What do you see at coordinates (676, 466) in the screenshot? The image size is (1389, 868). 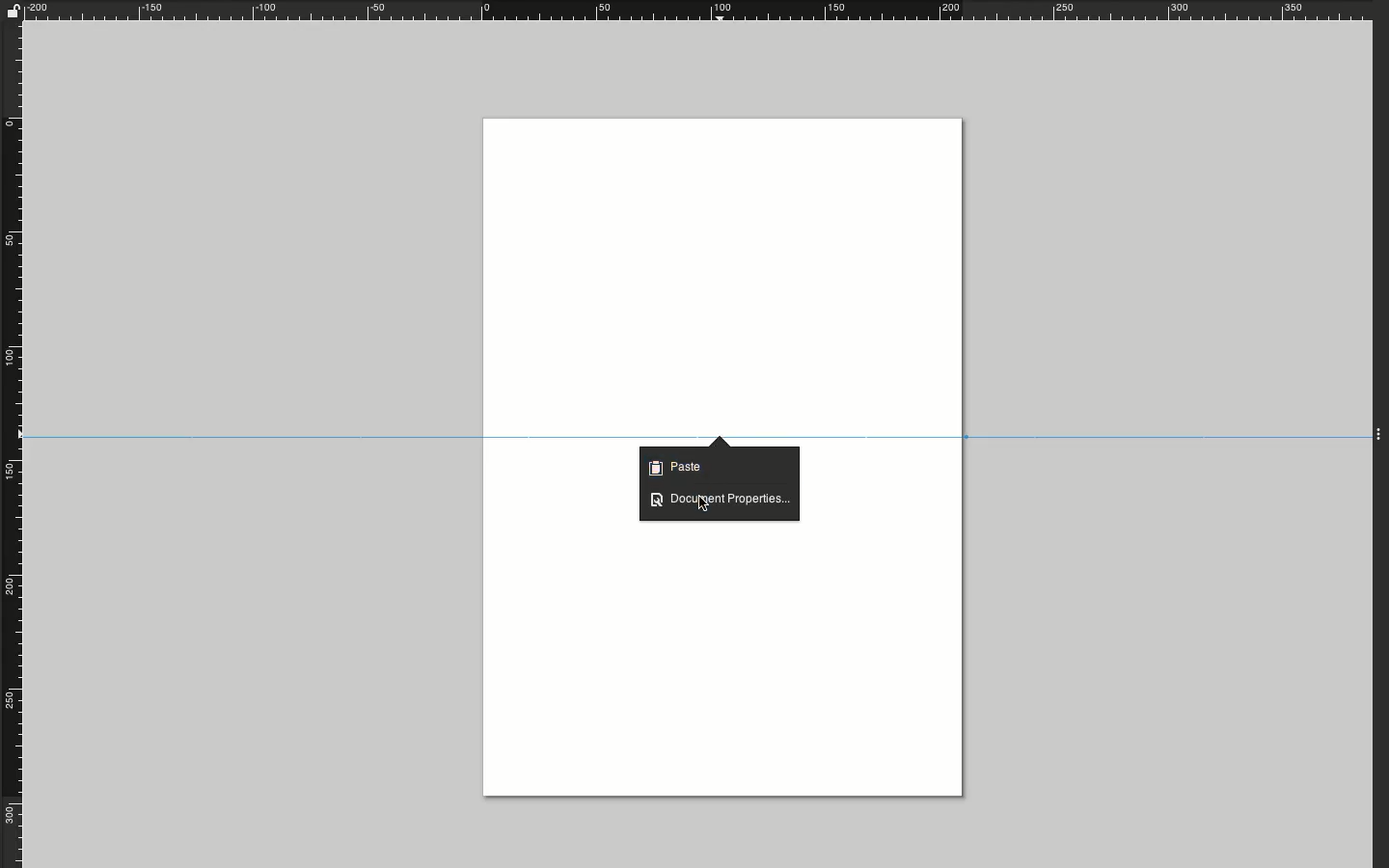 I see `Paste` at bounding box center [676, 466].